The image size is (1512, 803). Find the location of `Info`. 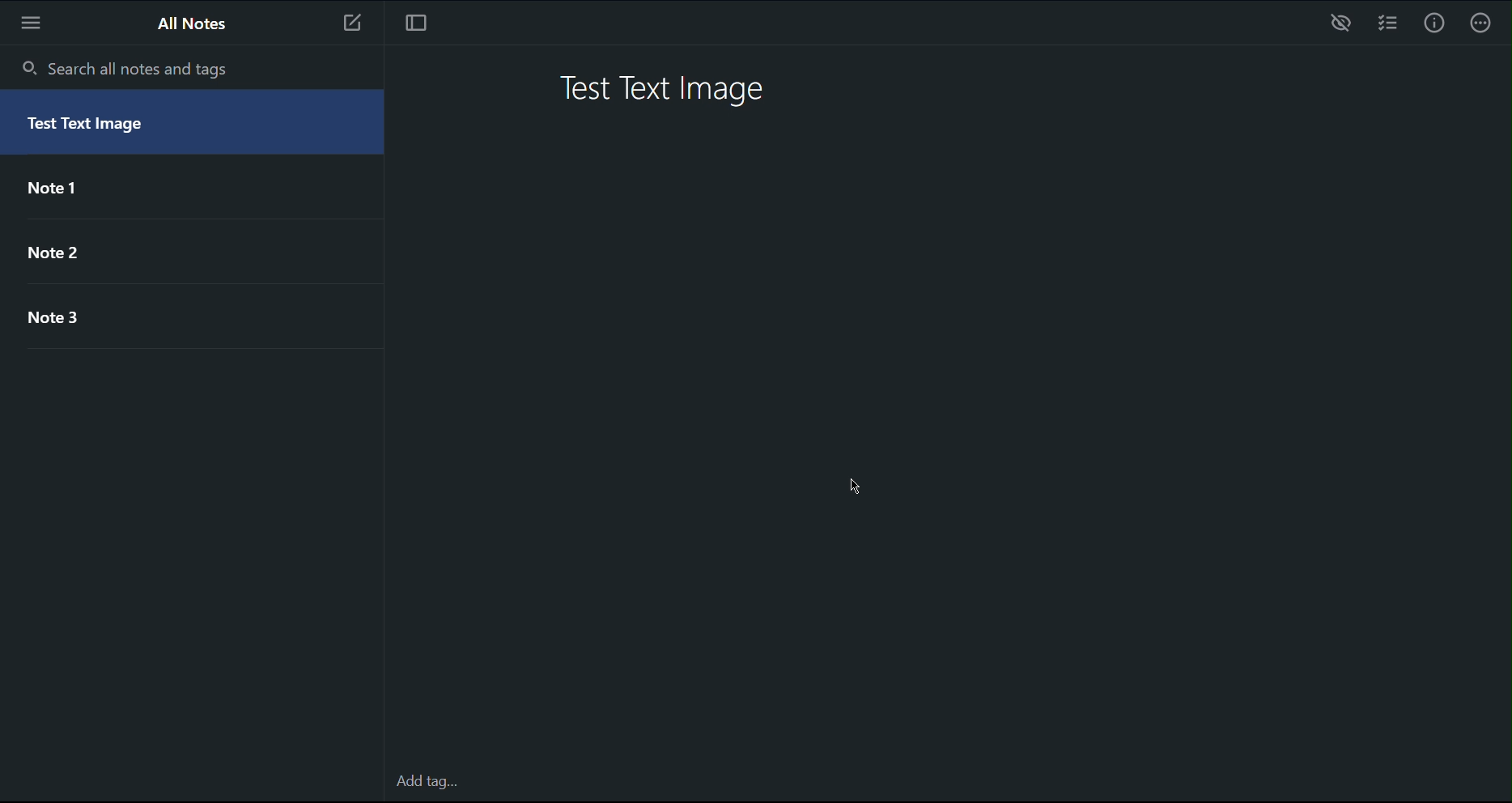

Info is located at coordinates (1435, 23).